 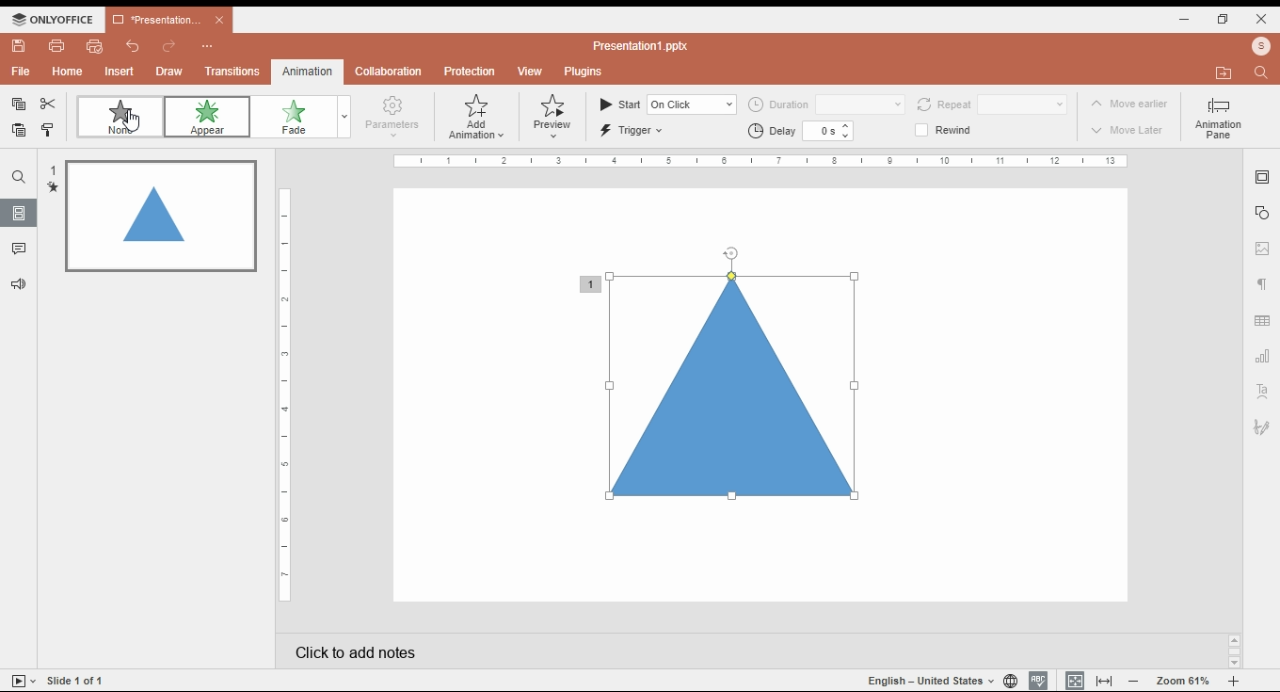 I want to click on suggestions and feedback, so click(x=17, y=283).